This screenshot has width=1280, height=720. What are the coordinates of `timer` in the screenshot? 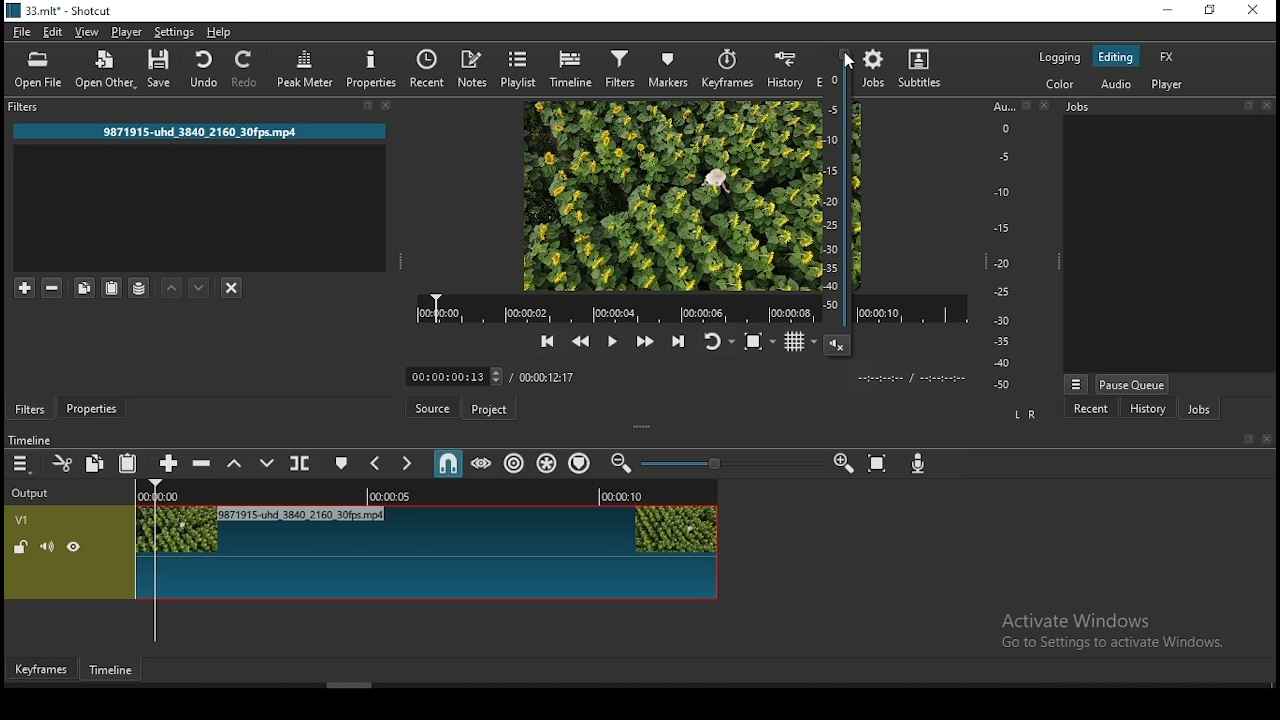 It's located at (495, 376).